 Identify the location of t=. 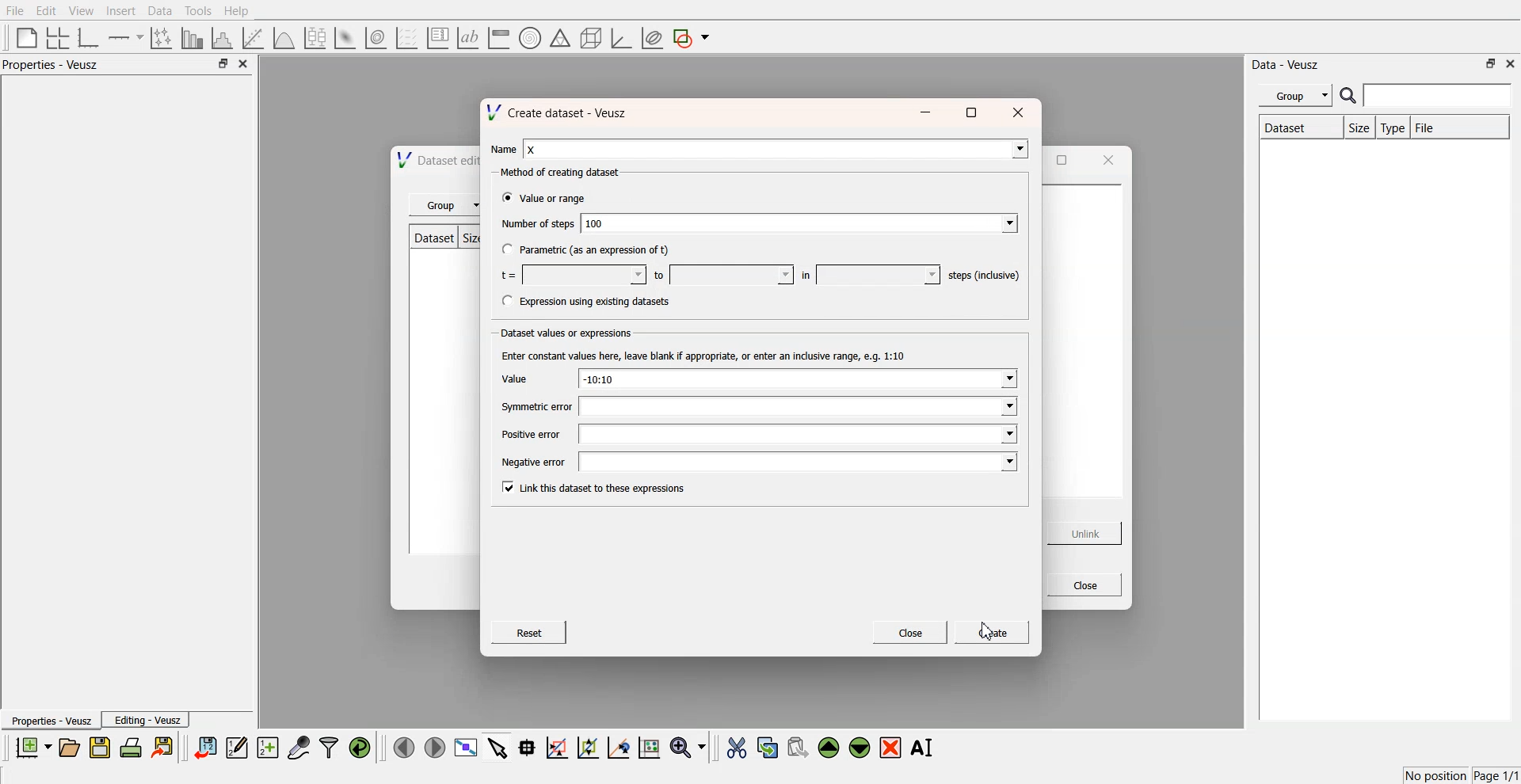
(508, 275).